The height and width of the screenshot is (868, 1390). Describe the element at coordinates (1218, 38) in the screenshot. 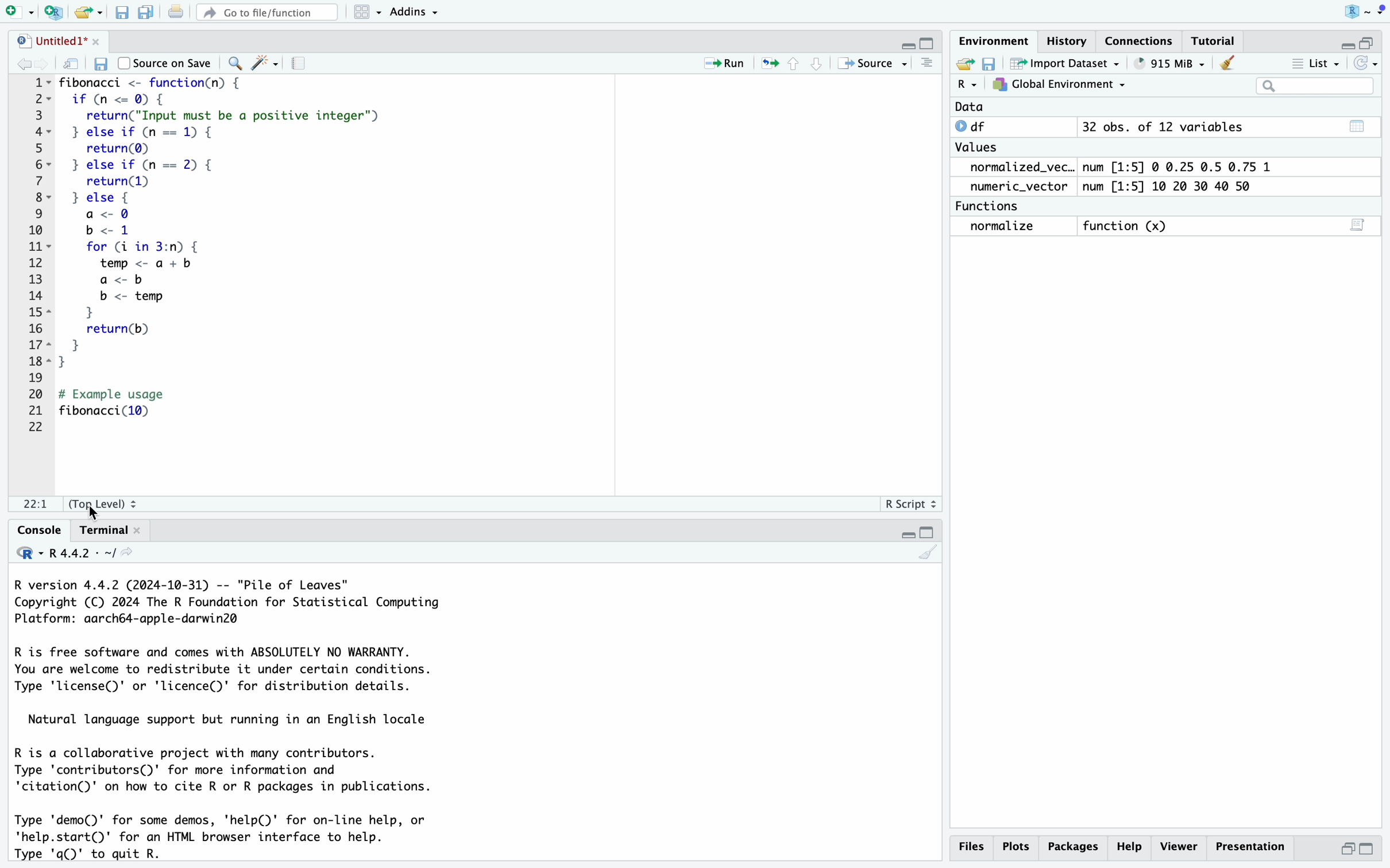

I see `tutorial` at that location.